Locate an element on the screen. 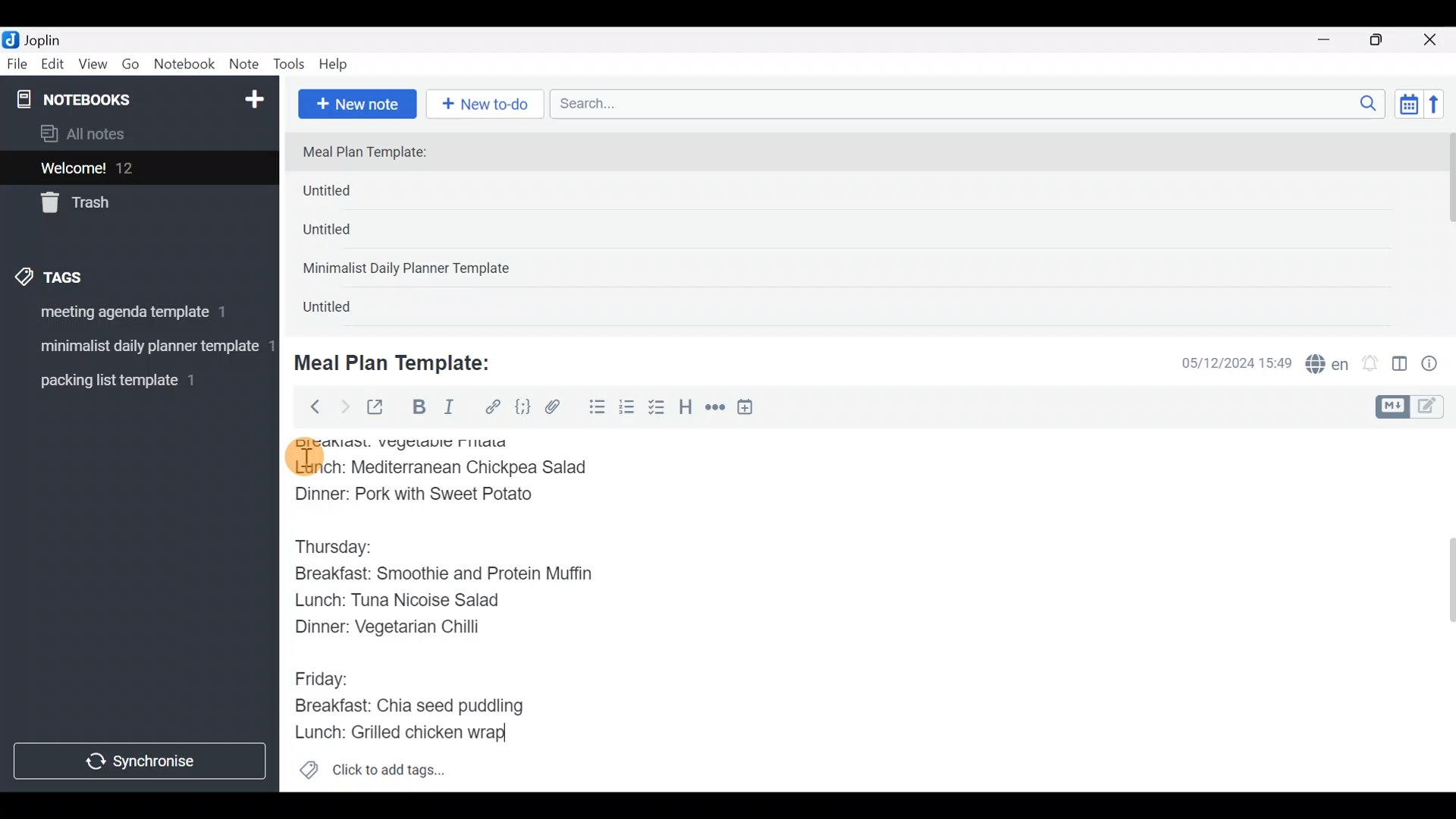  New note is located at coordinates (356, 102).